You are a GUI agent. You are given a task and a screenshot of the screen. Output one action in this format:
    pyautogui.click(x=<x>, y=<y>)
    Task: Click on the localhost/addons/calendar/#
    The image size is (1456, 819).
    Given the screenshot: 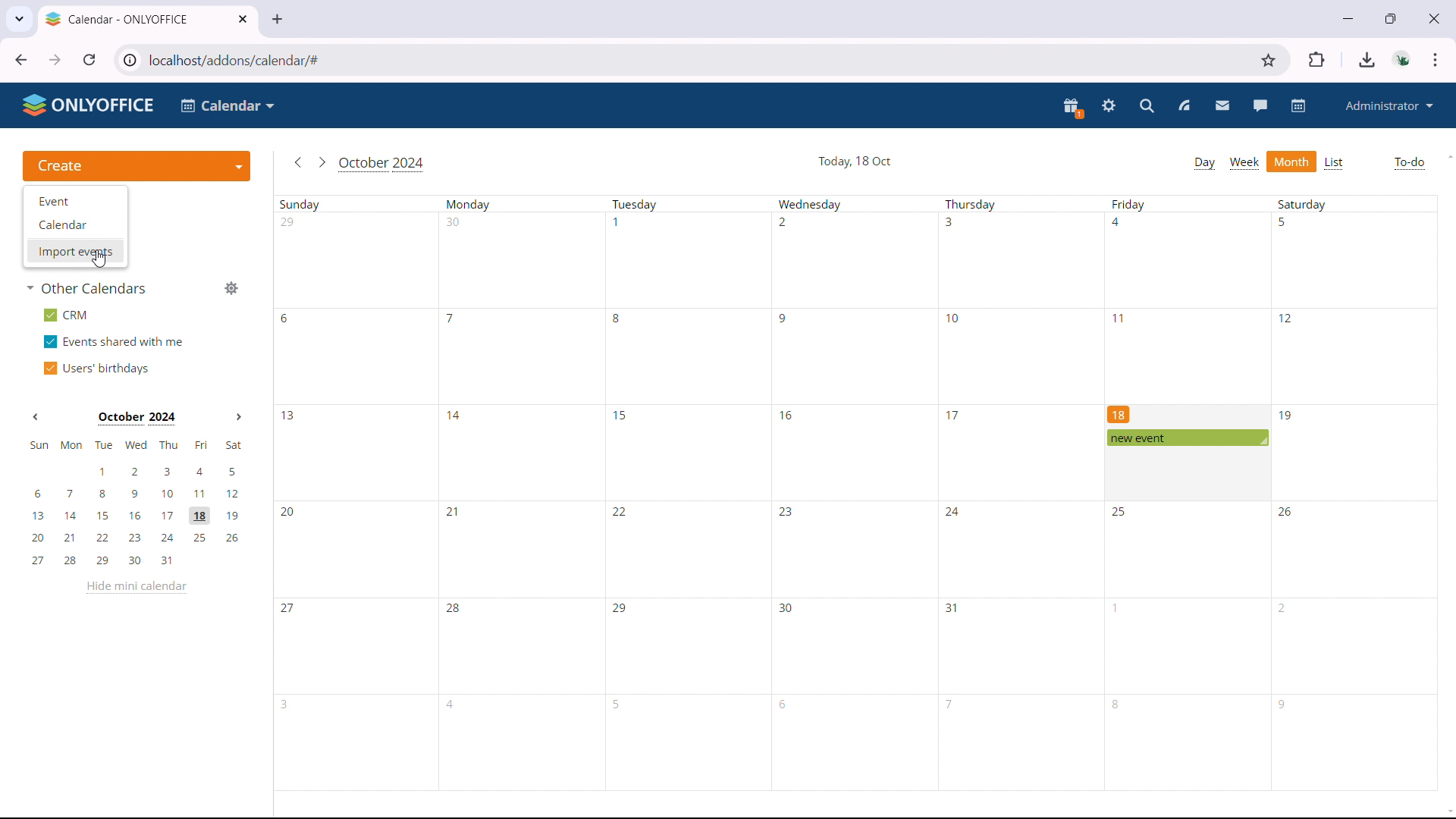 What is the action you would take?
    pyautogui.click(x=247, y=60)
    